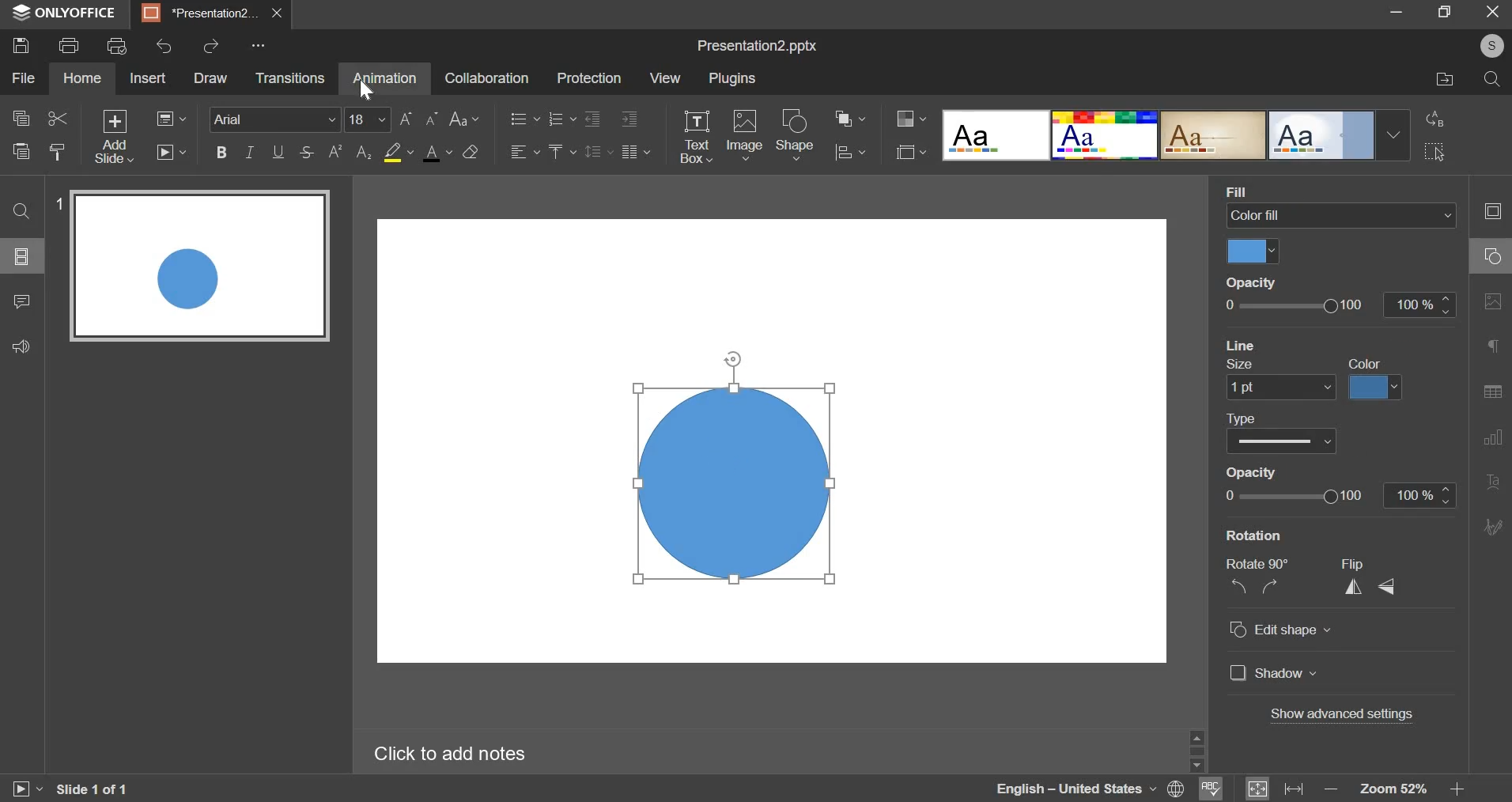 Image resolution: width=1512 pixels, height=802 pixels. Describe the element at coordinates (630, 119) in the screenshot. I see `decrease indent` at that location.